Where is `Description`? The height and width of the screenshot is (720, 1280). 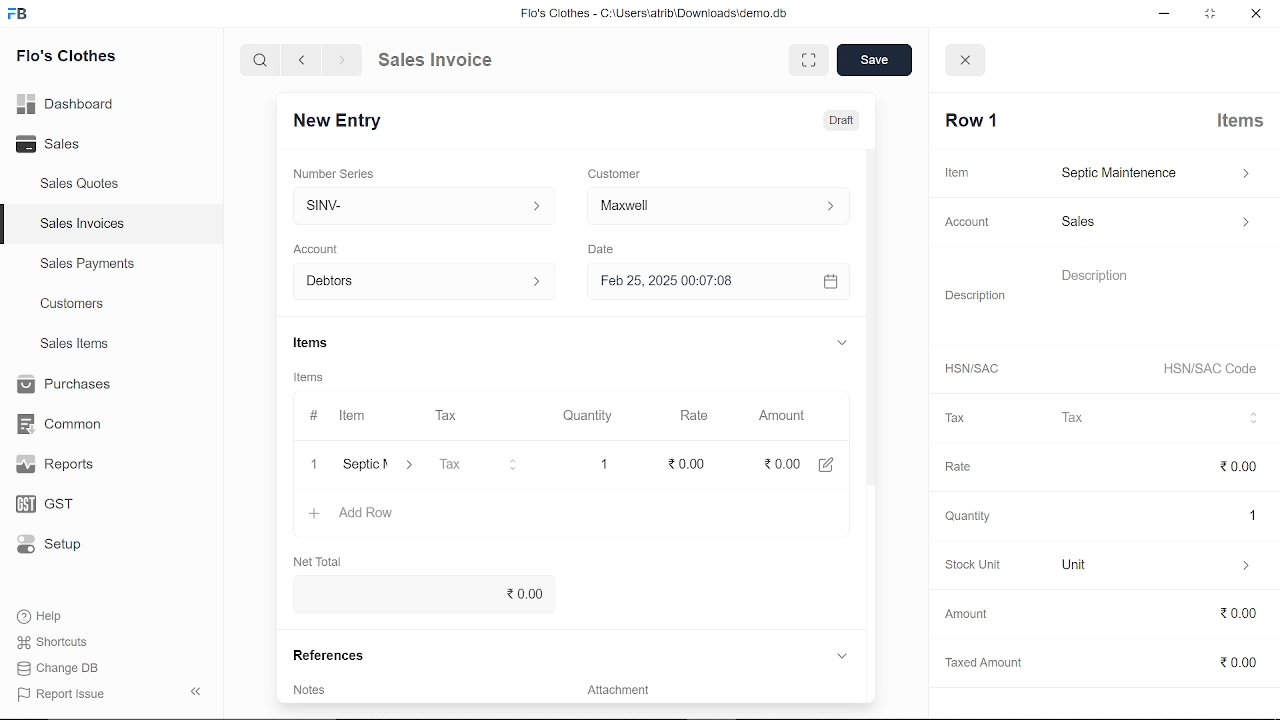
Description is located at coordinates (976, 293).